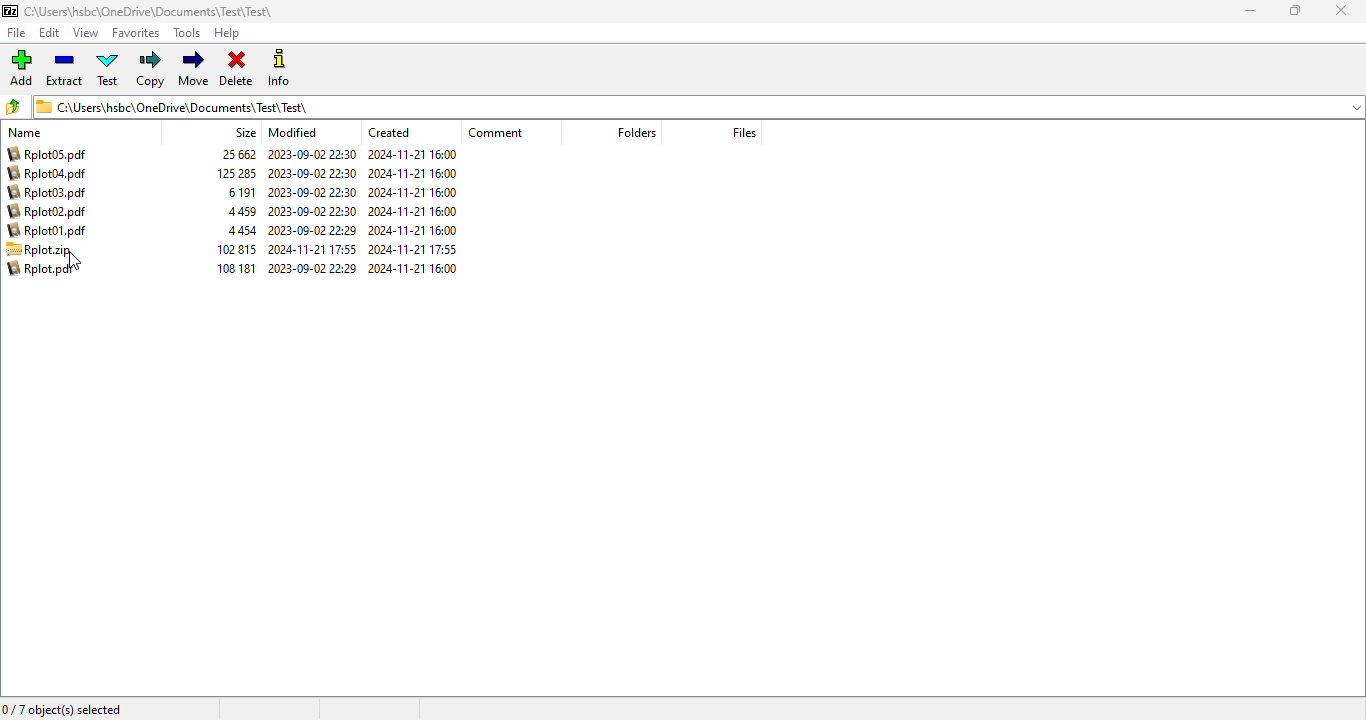 This screenshot has height=720, width=1366. I want to click on name, so click(24, 133).